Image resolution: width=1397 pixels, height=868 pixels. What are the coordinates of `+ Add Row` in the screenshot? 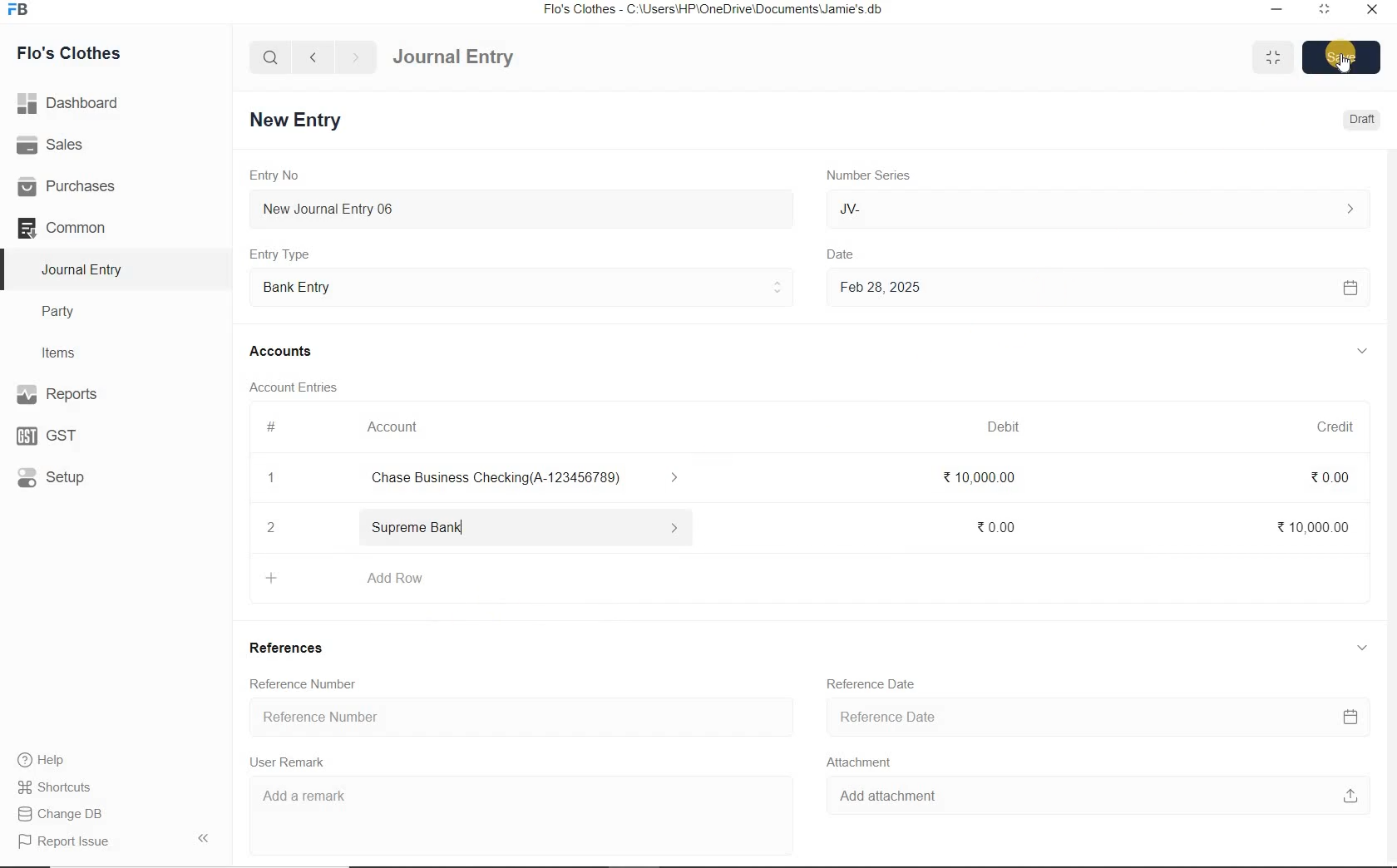 It's located at (358, 579).